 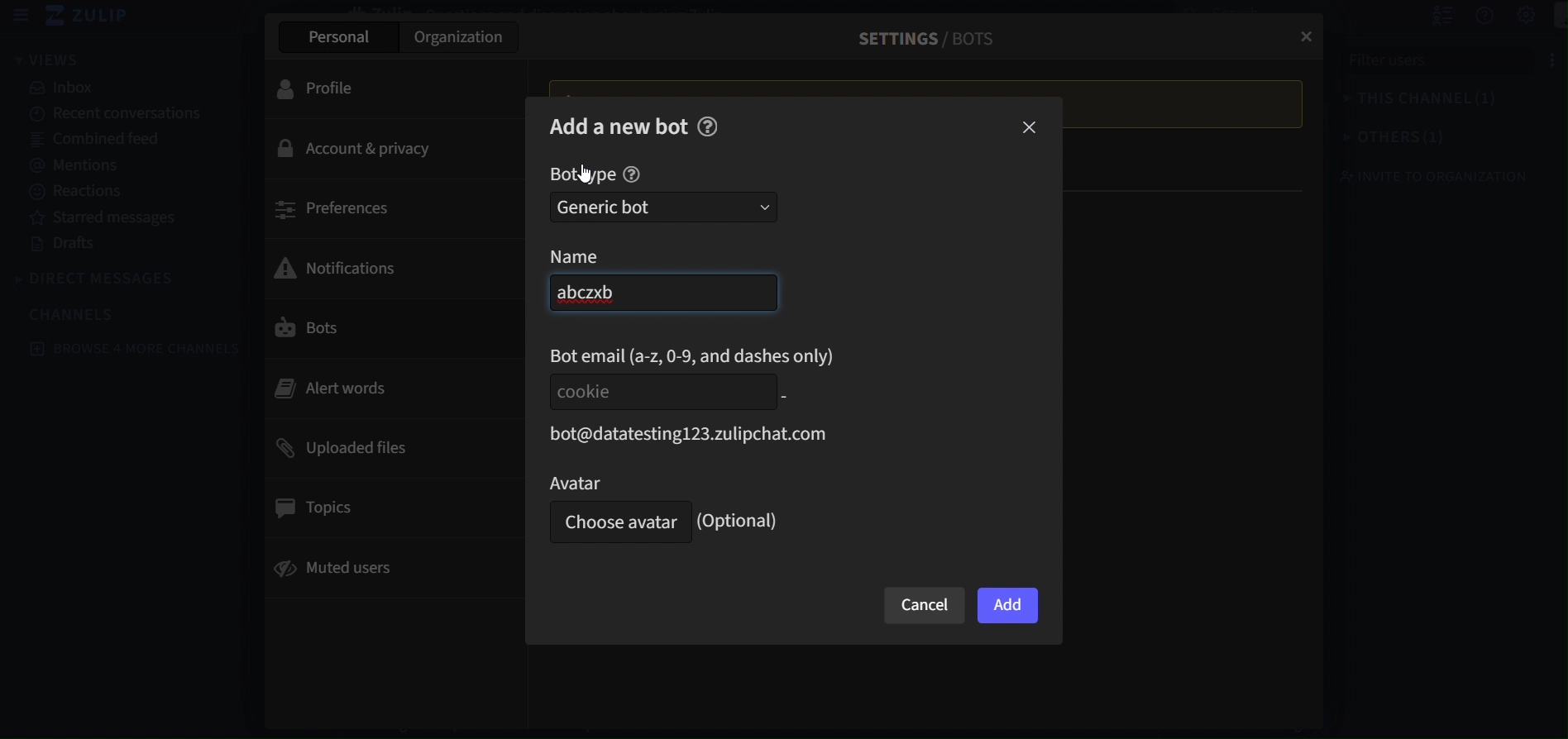 What do you see at coordinates (385, 508) in the screenshot?
I see `topics` at bounding box center [385, 508].